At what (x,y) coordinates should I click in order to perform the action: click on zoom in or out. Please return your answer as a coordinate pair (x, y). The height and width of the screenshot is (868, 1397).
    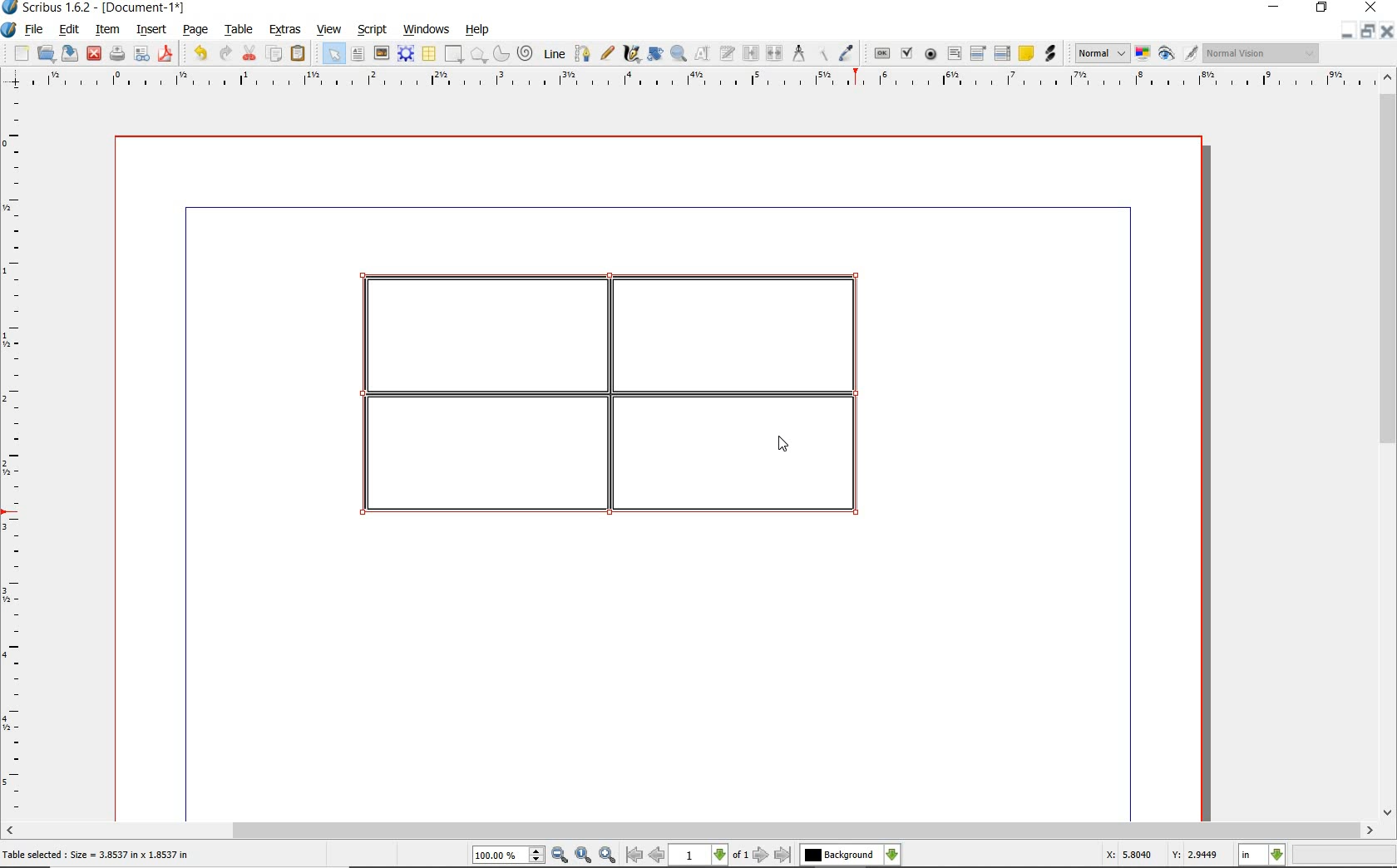
    Looking at the image, I should click on (678, 54).